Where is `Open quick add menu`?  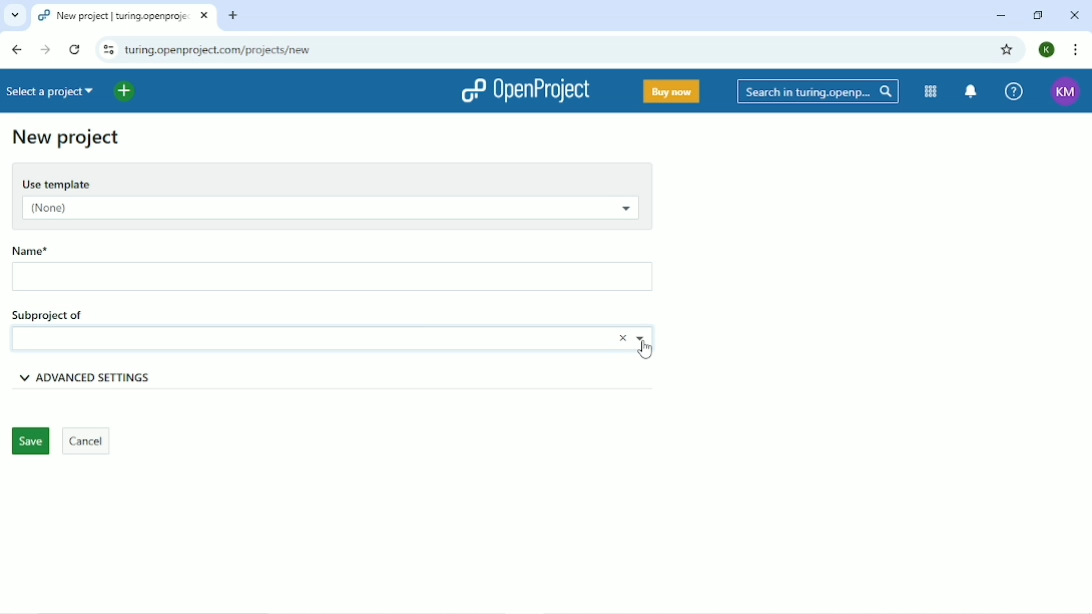 Open quick add menu is located at coordinates (126, 92).